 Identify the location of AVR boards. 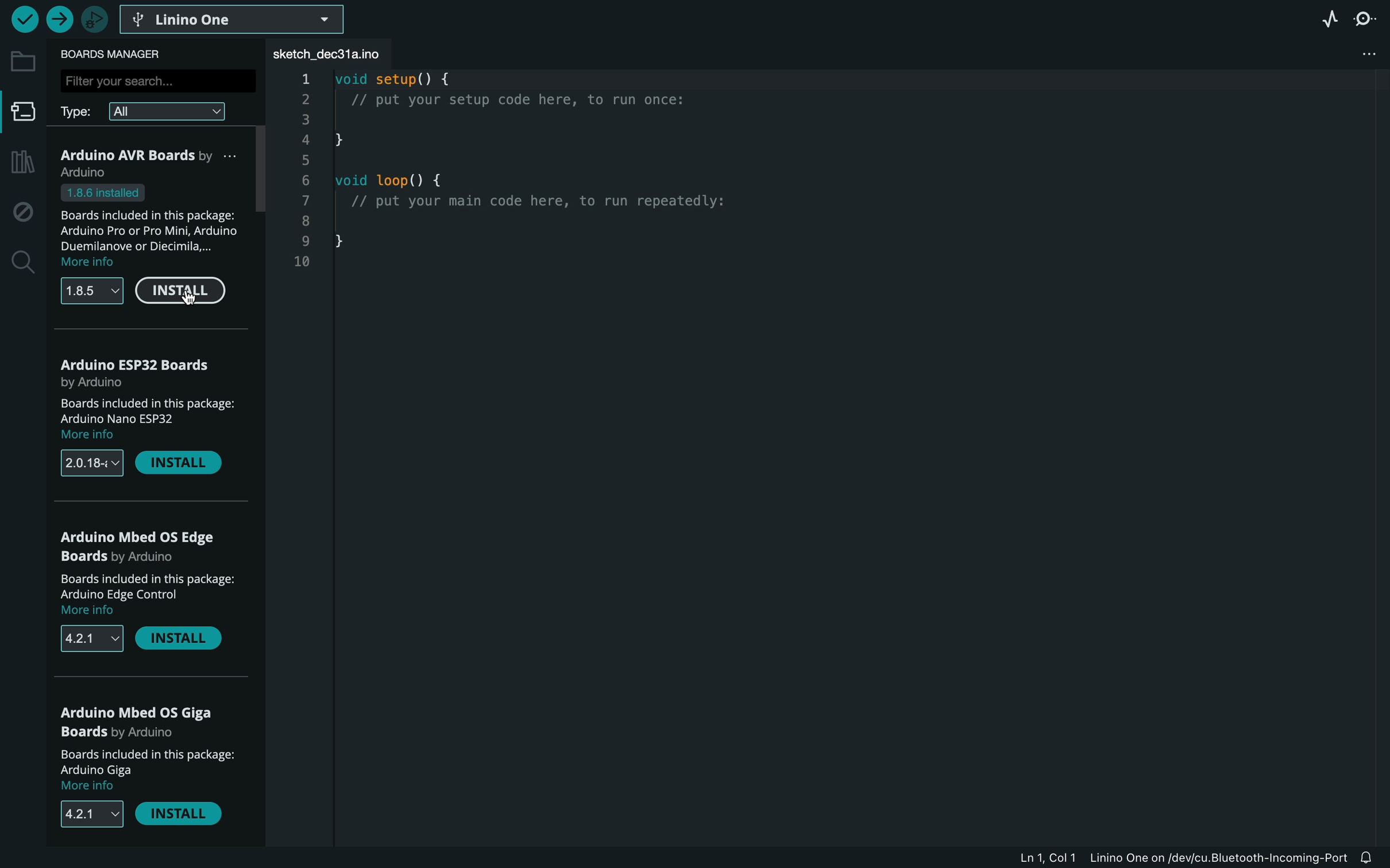
(154, 162).